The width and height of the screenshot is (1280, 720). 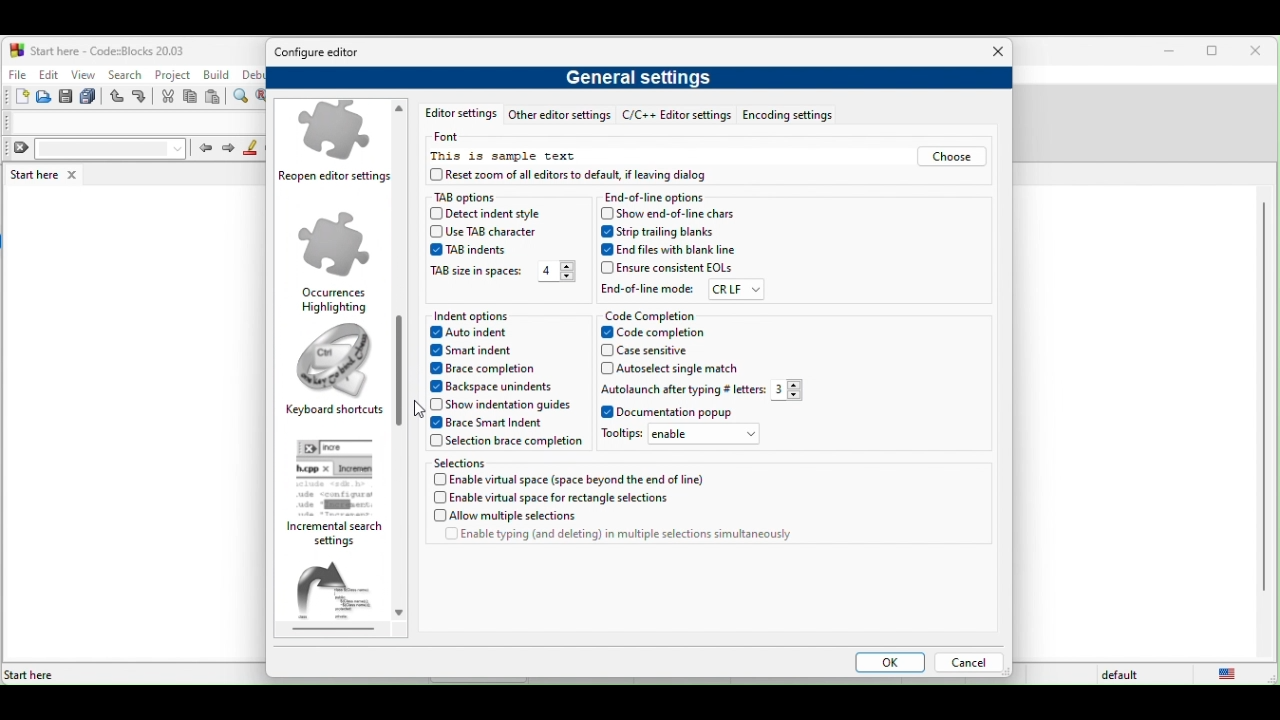 What do you see at coordinates (476, 273) in the screenshot?
I see `tab size` at bounding box center [476, 273].